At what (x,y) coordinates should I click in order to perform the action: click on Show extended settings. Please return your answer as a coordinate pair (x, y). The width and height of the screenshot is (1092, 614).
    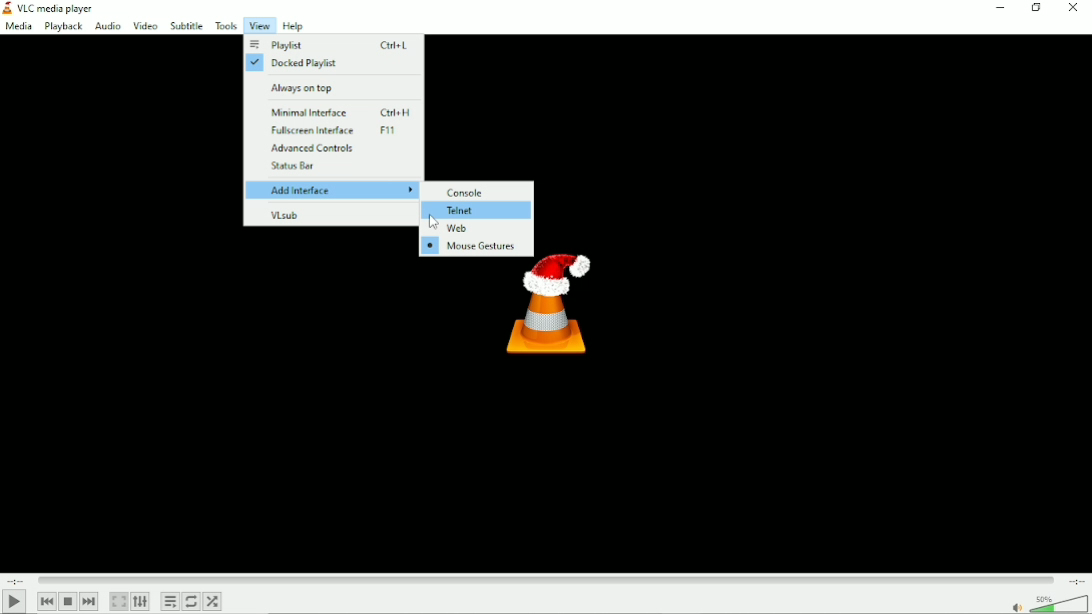
    Looking at the image, I should click on (140, 602).